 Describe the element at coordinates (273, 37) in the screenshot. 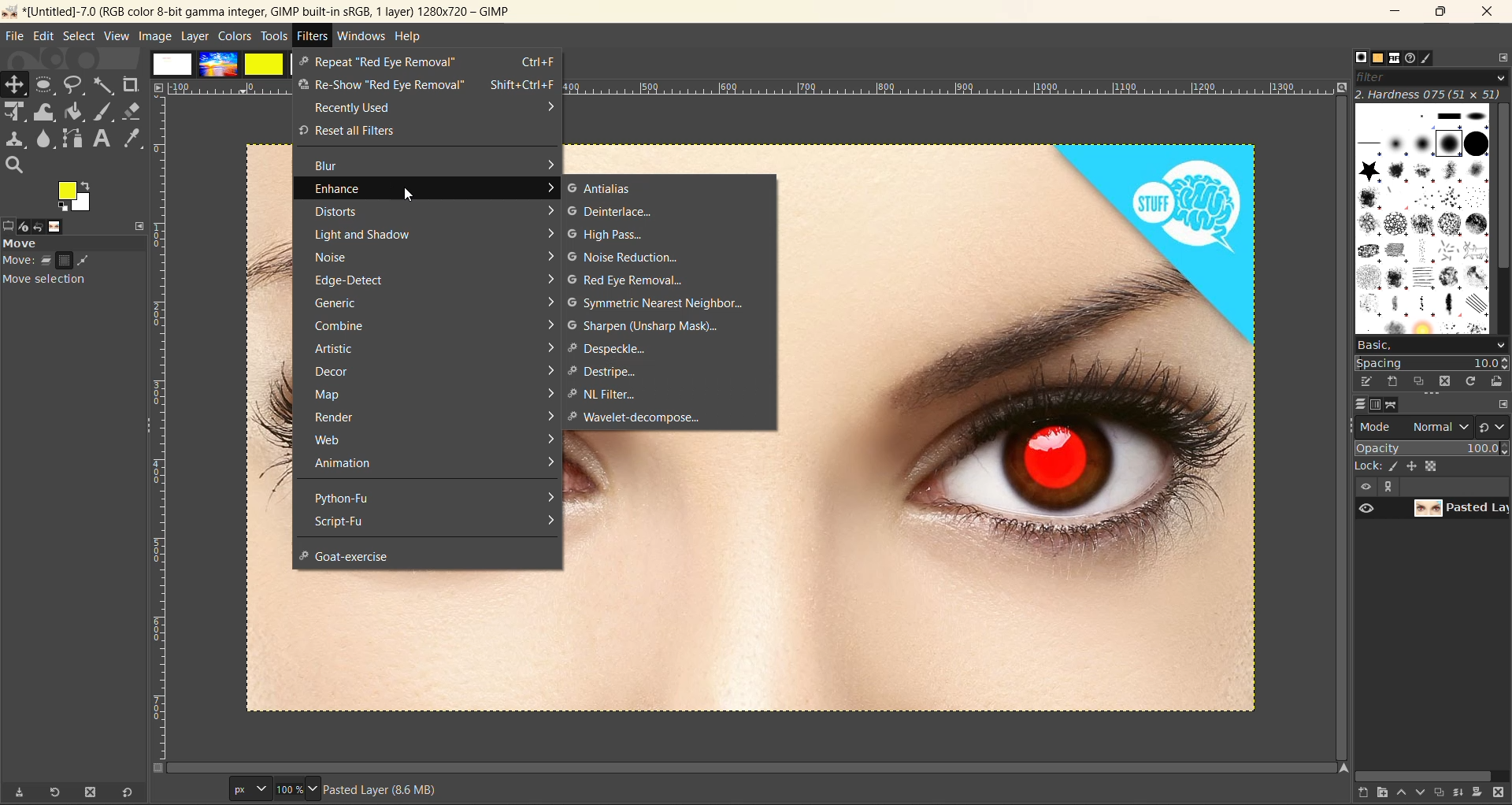

I see `tools` at that location.